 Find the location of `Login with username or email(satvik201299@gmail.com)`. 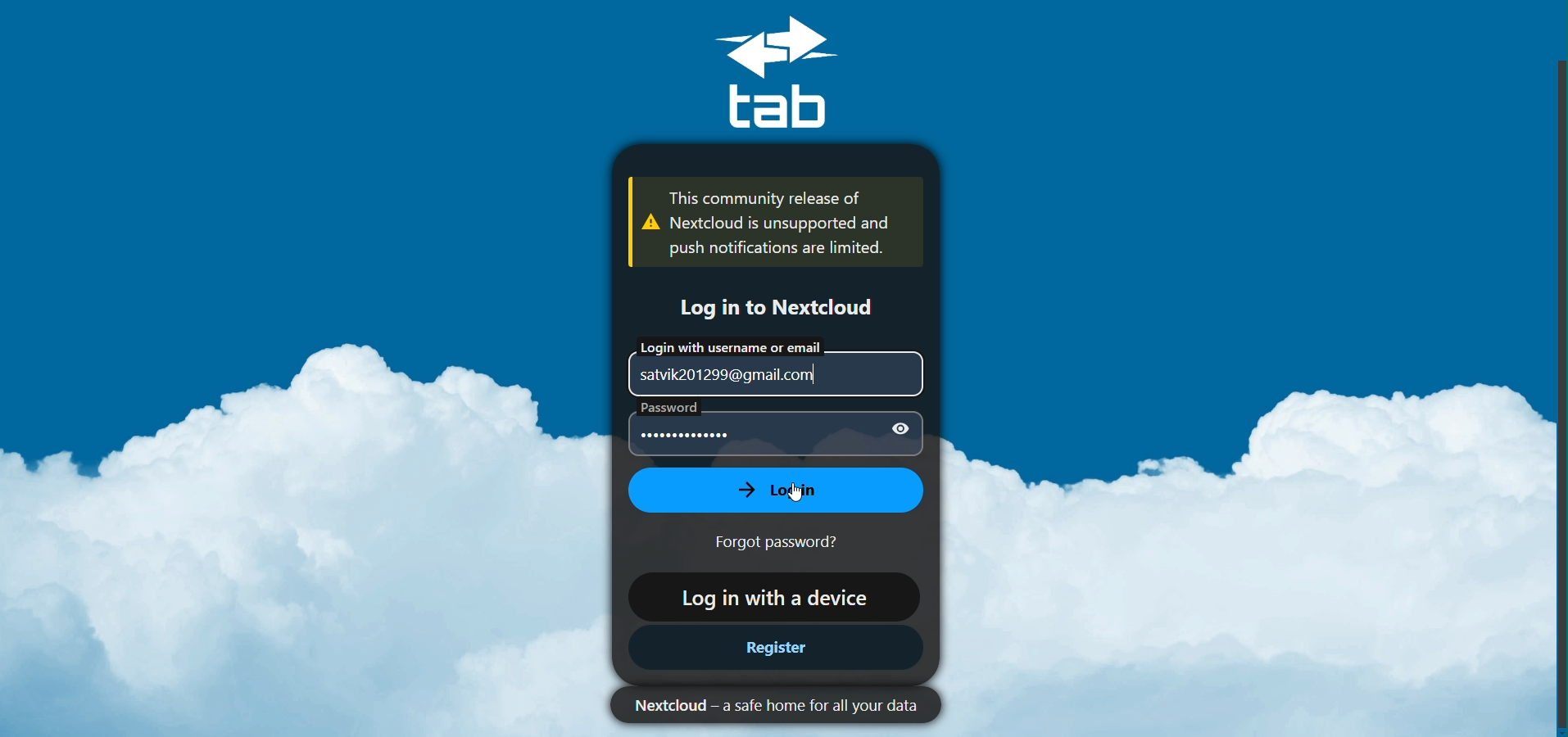

Login with username or email(satvik201299@gmail.com) is located at coordinates (770, 364).